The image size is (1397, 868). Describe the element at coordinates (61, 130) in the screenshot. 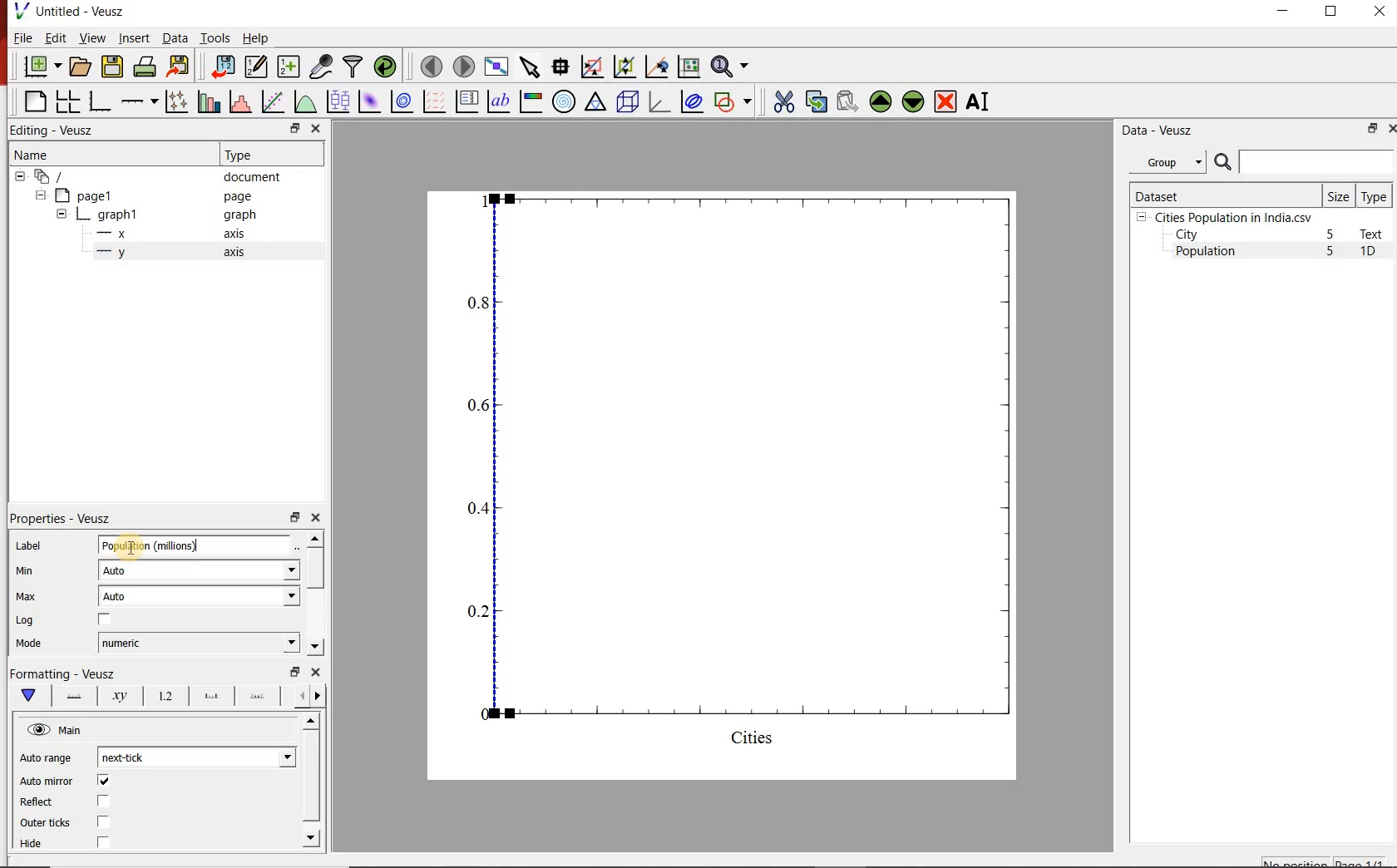

I see `Editing - Veusz` at that location.